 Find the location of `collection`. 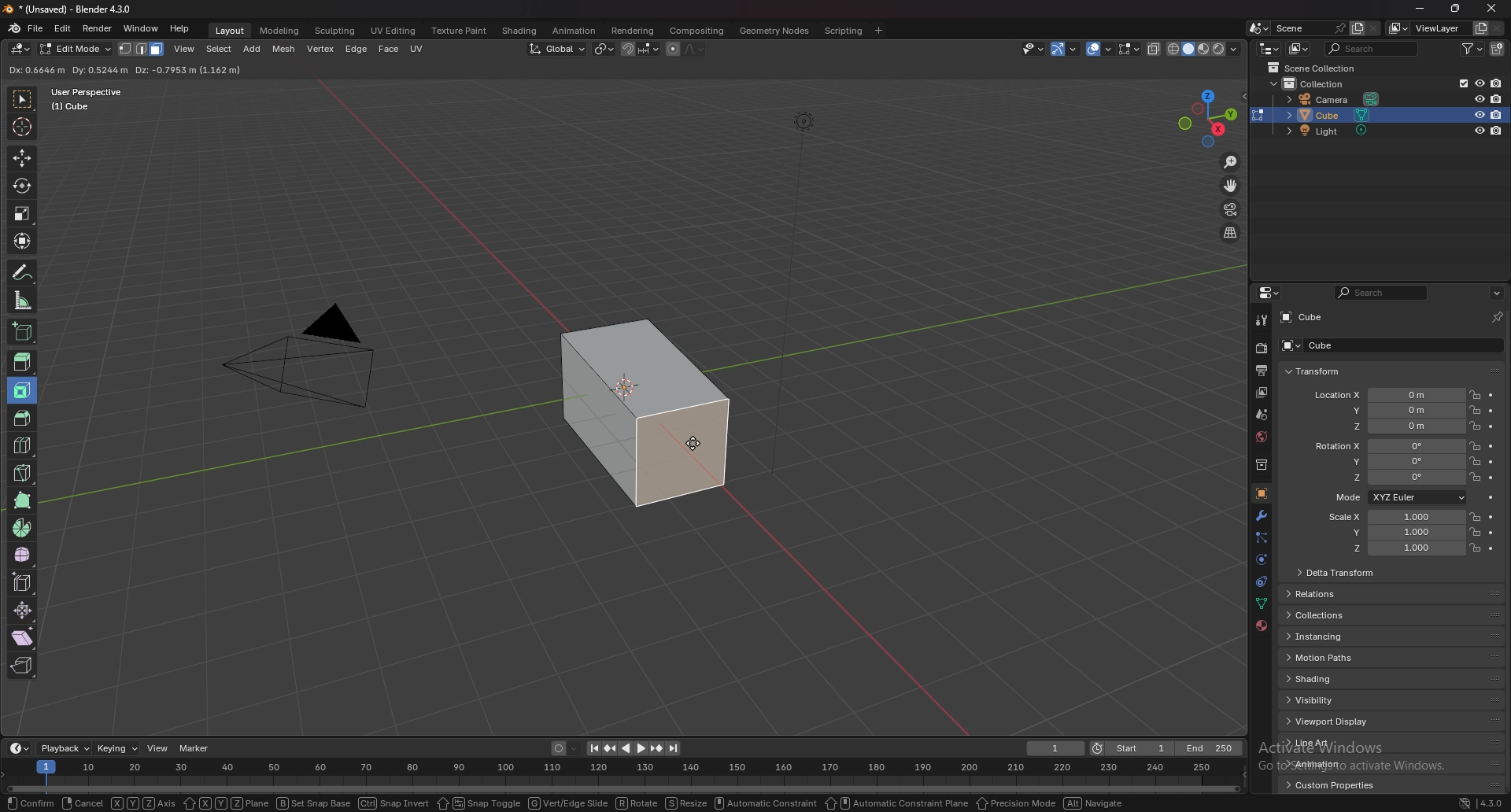

collection is located at coordinates (1260, 465).